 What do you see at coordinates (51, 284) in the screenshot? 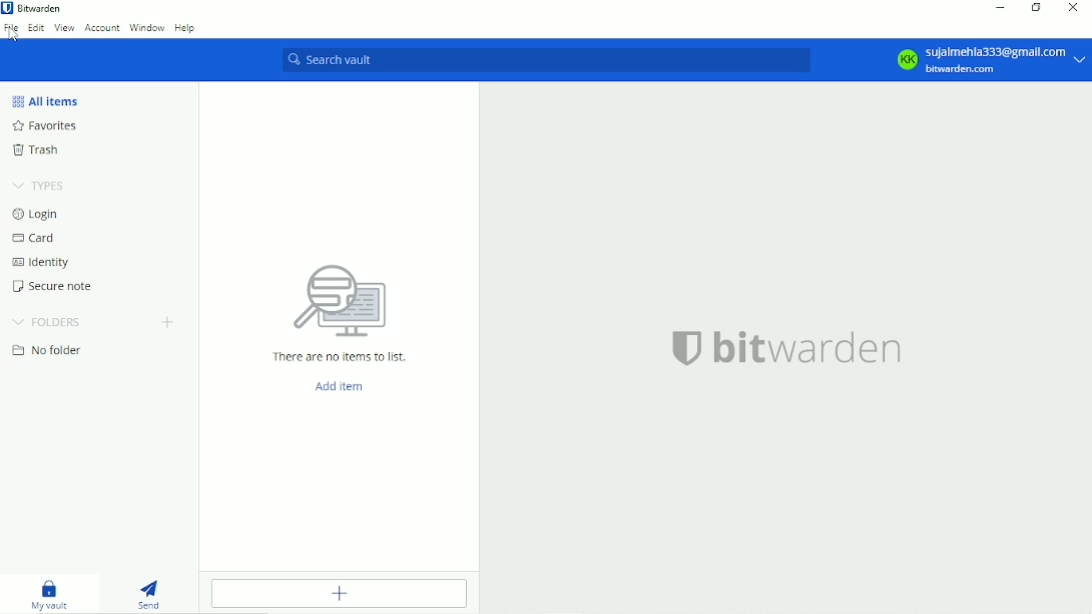
I see `Secure note` at bounding box center [51, 284].